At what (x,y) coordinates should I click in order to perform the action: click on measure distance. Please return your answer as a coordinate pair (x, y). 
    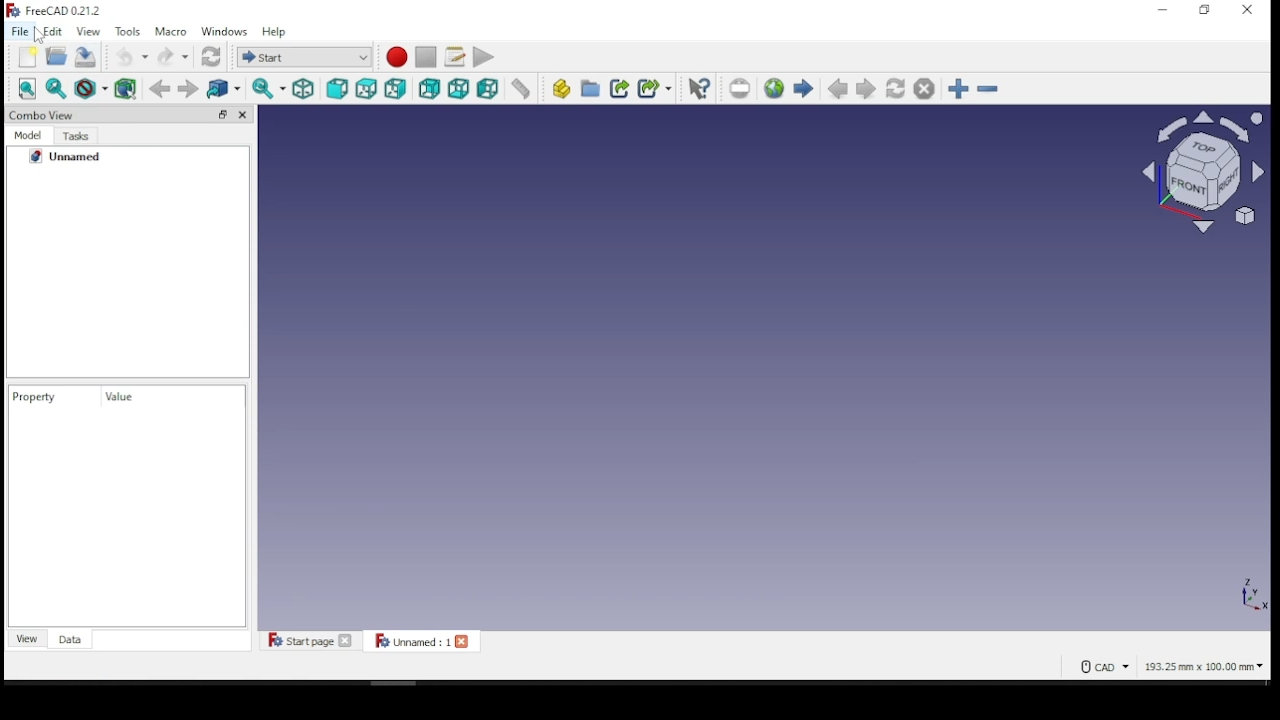
    Looking at the image, I should click on (522, 88).